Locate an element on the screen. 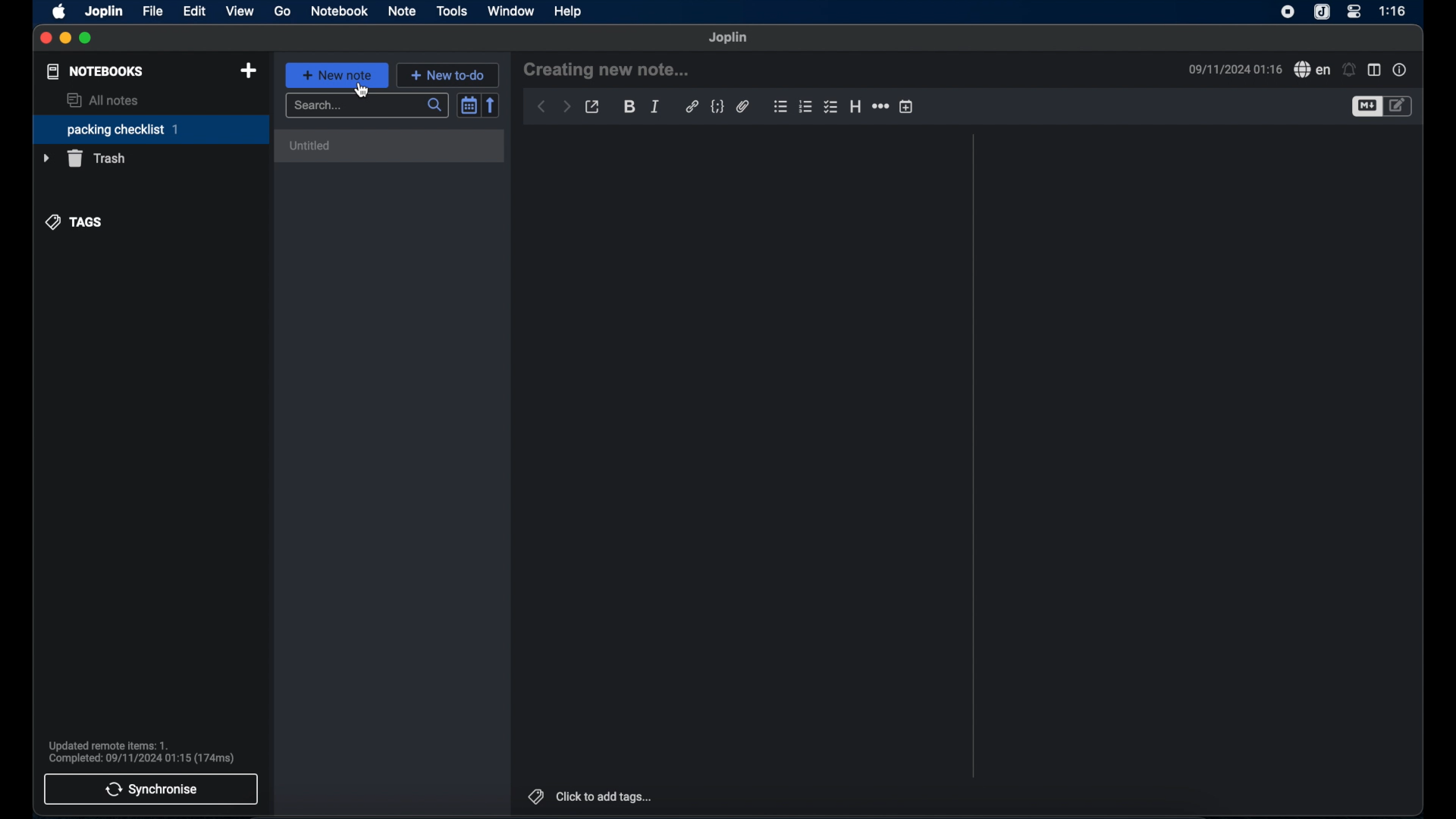  joplin icone is located at coordinates (1322, 12).